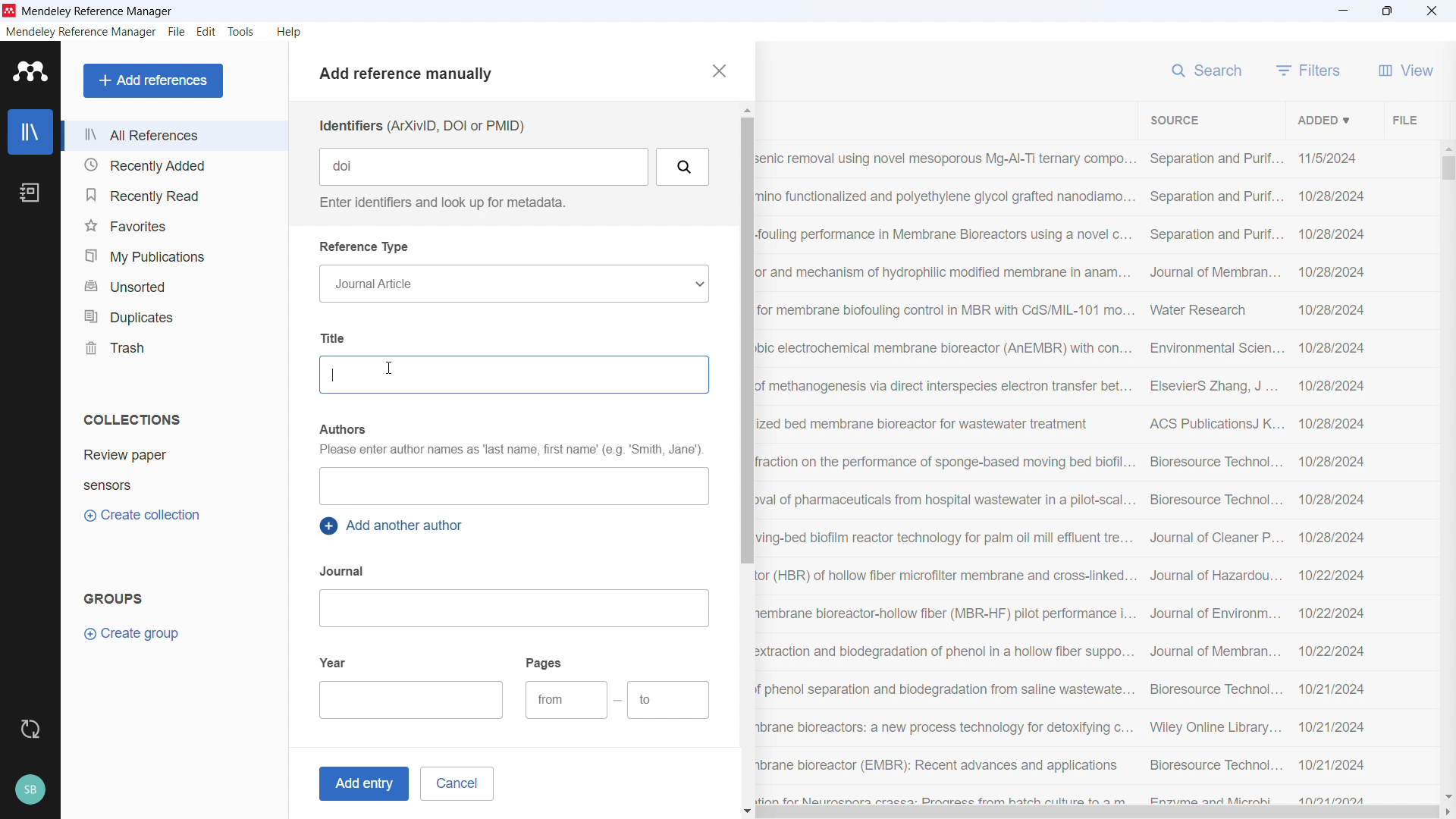  What do you see at coordinates (421, 126) in the screenshot?
I see `Identifiers` at bounding box center [421, 126].